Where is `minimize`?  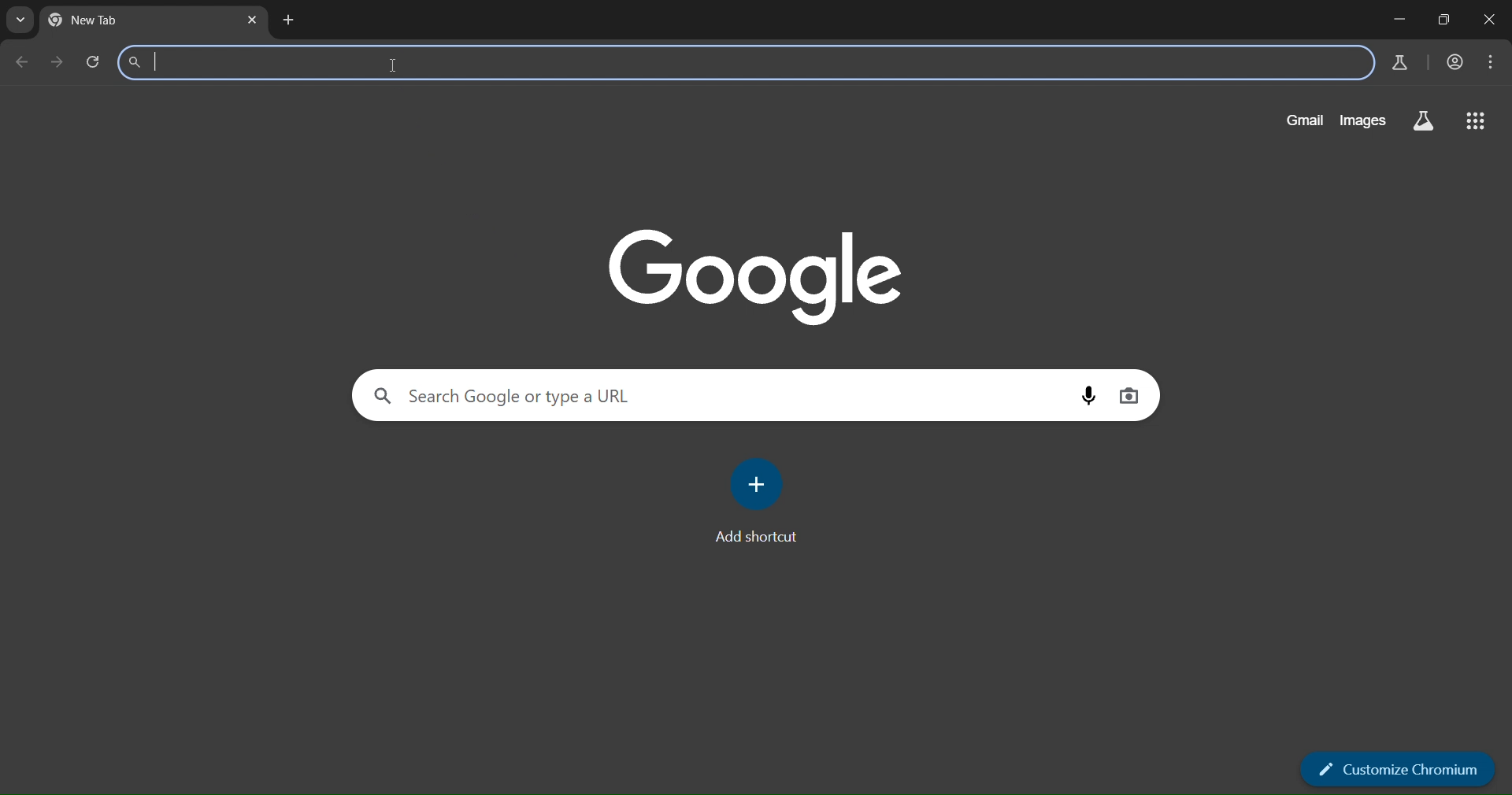 minimize is located at coordinates (1392, 20).